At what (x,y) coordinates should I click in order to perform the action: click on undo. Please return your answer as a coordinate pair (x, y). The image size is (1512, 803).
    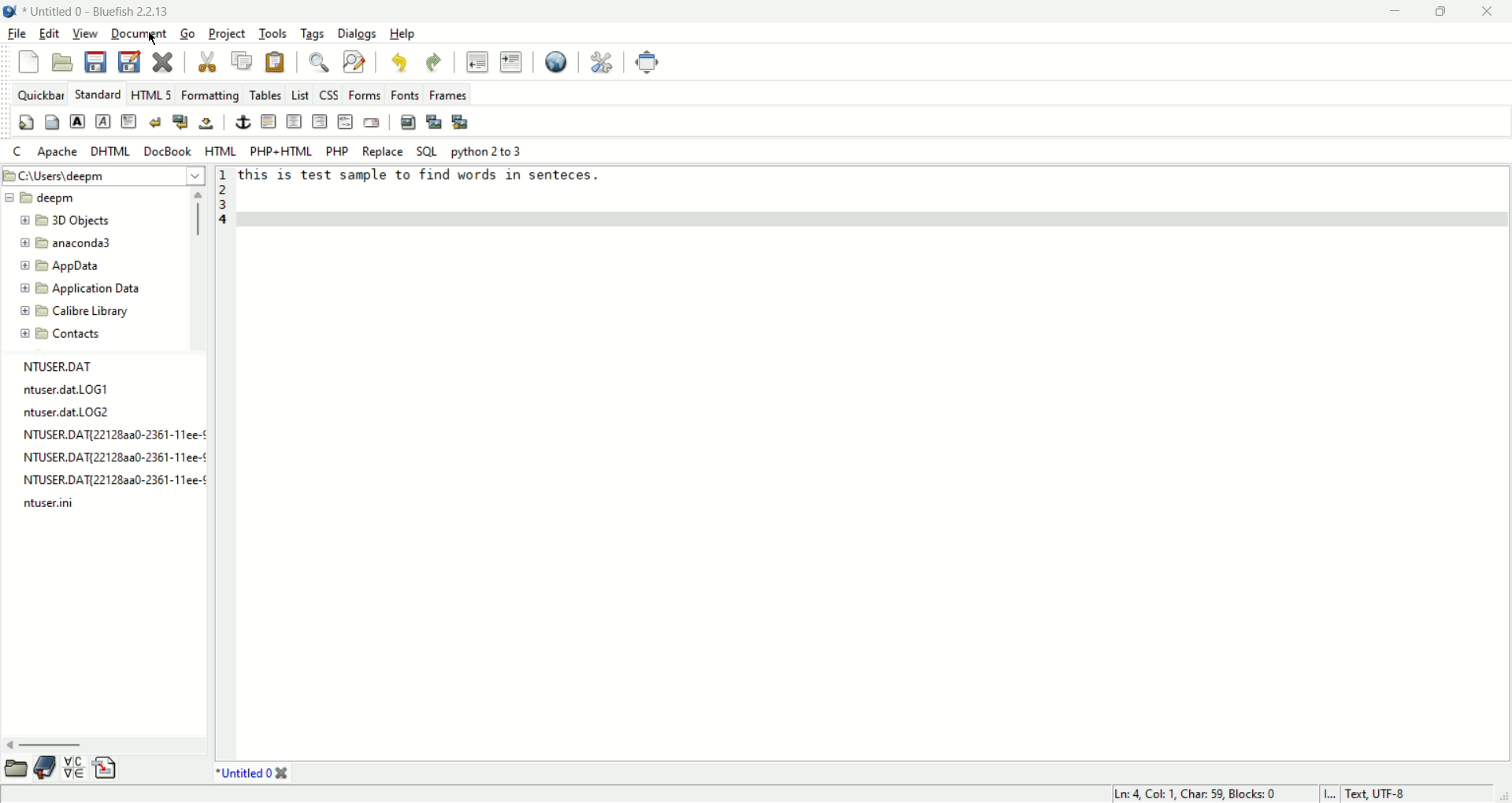
    Looking at the image, I should click on (398, 61).